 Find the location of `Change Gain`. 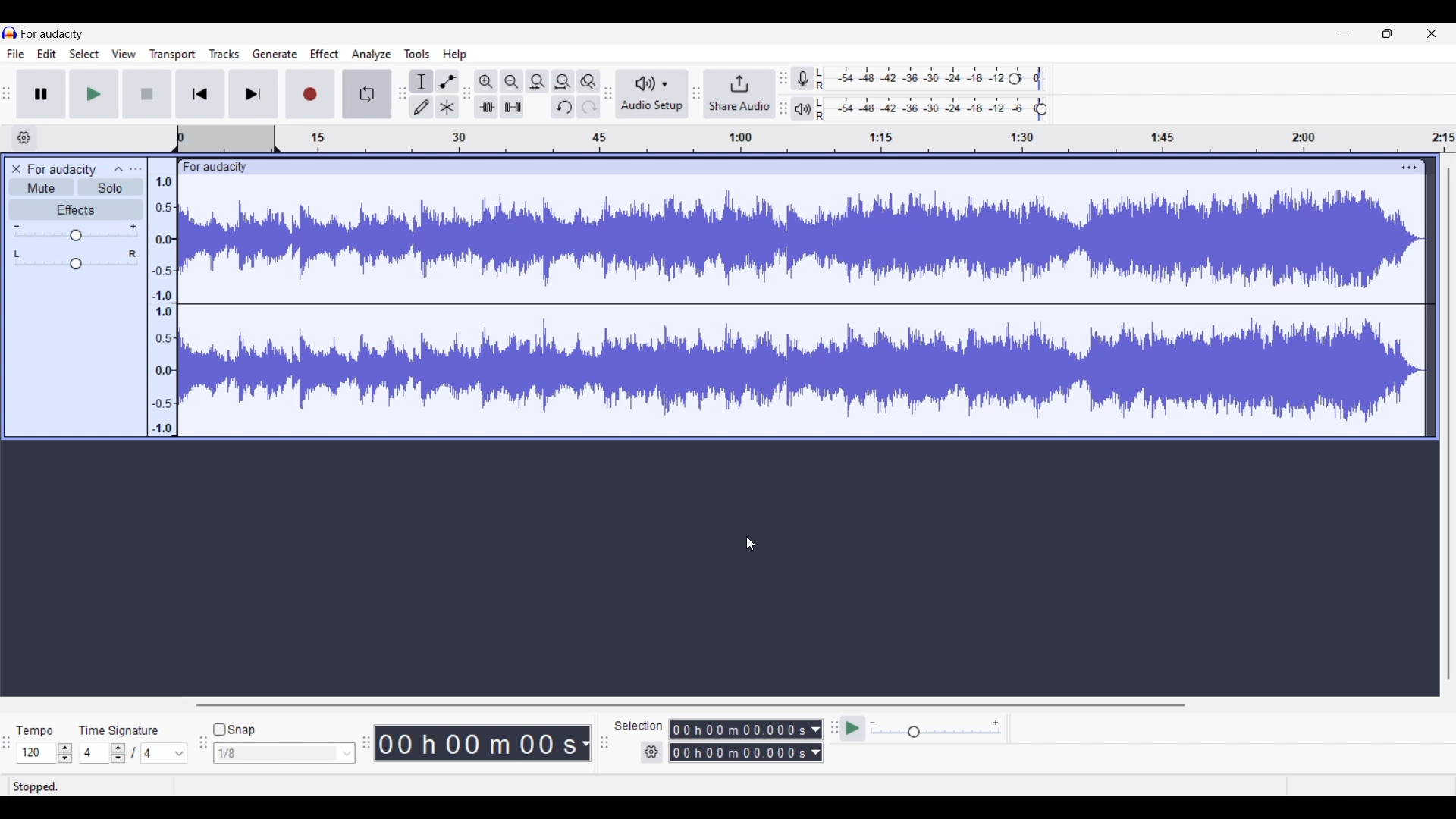

Change Gain is located at coordinates (77, 236).